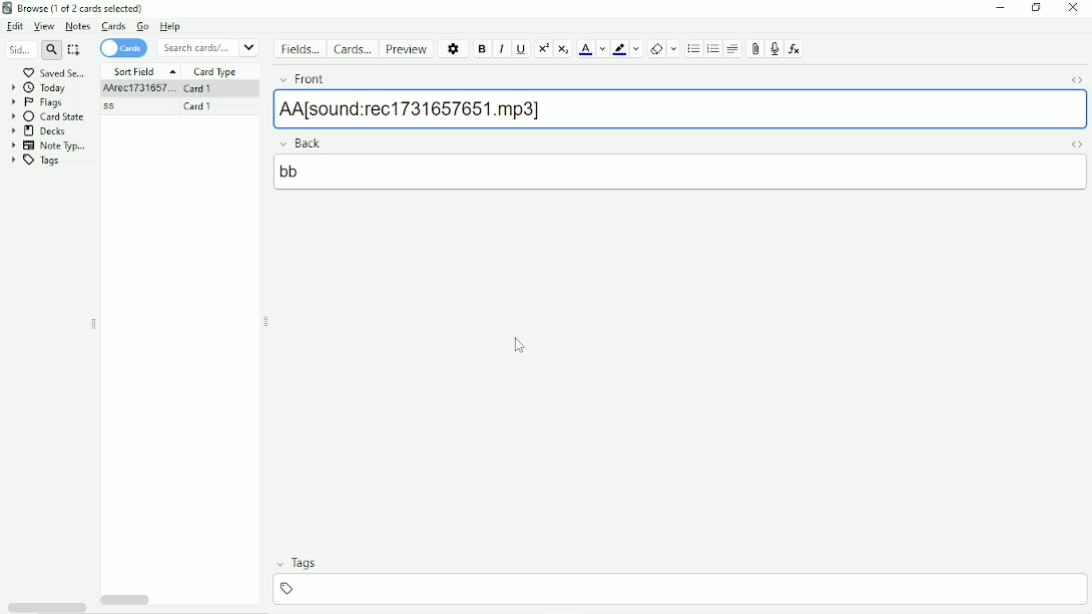 The width and height of the screenshot is (1092, 614). Describe the element at coordinates (1039, 8) in the screenshot. I see `Restore down` at that location.